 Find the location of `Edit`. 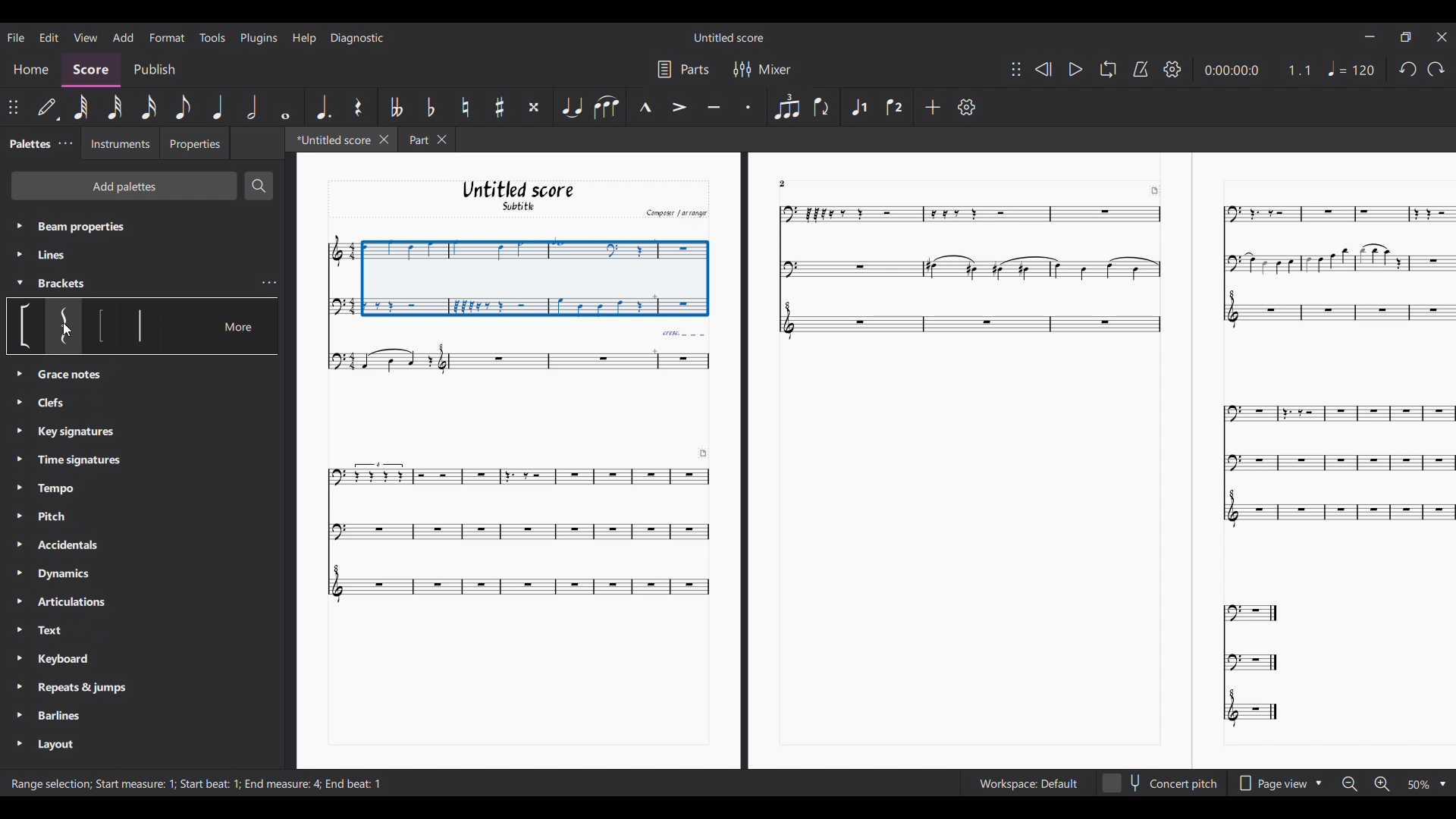

Edit is located at coordinates (49, 37).